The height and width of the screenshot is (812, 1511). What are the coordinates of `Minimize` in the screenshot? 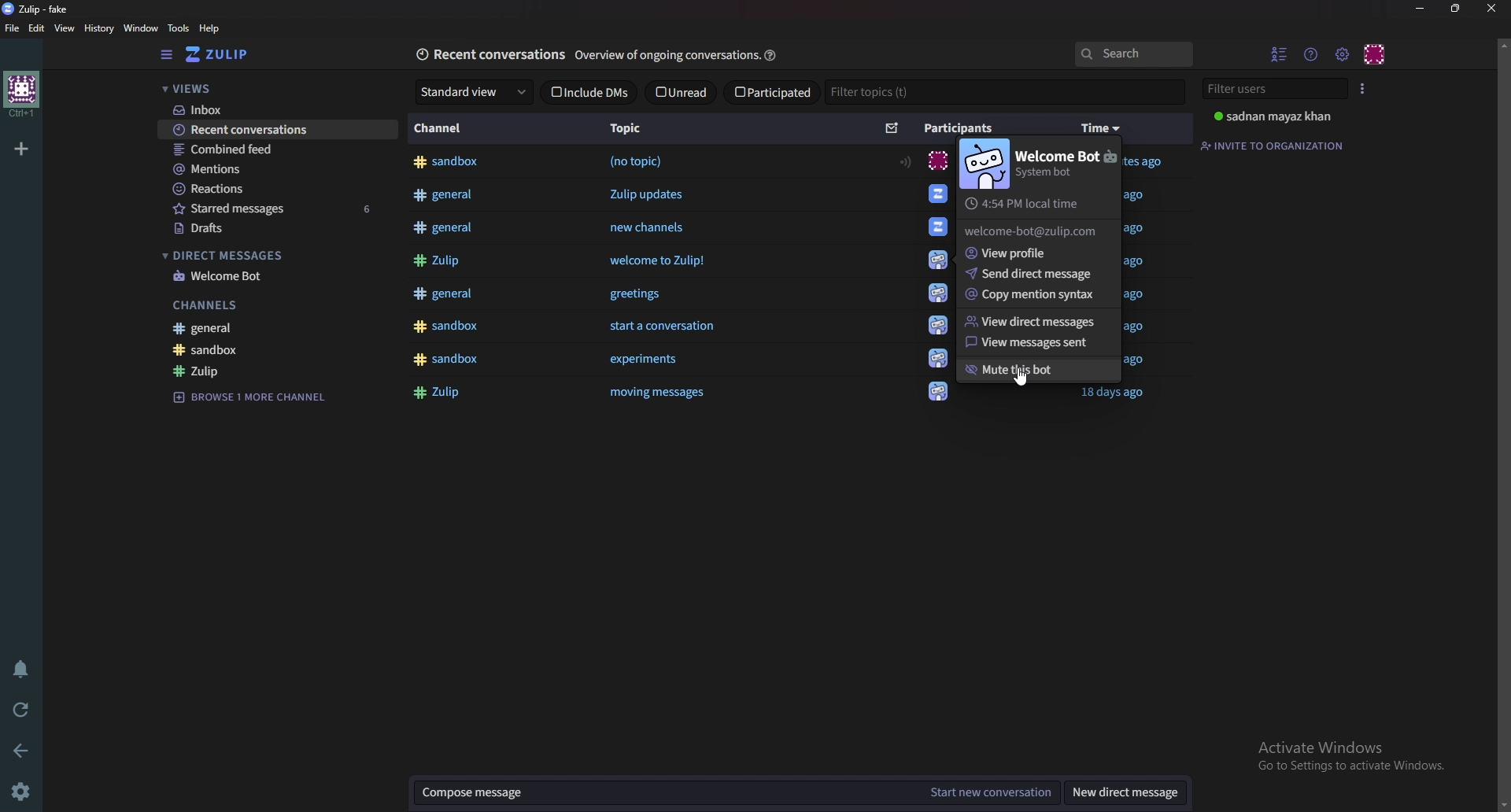 It's located at (1423, 9).